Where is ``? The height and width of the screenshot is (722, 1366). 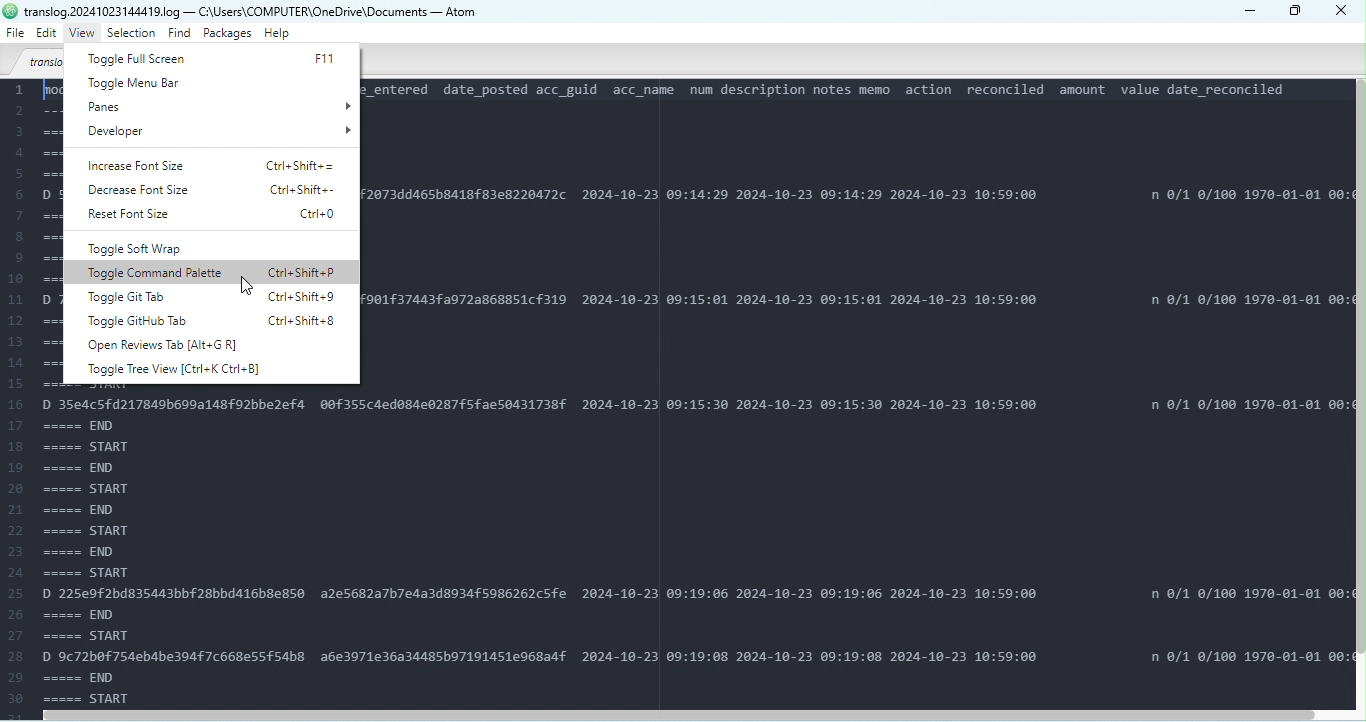  is located at coordinates (10, 11).